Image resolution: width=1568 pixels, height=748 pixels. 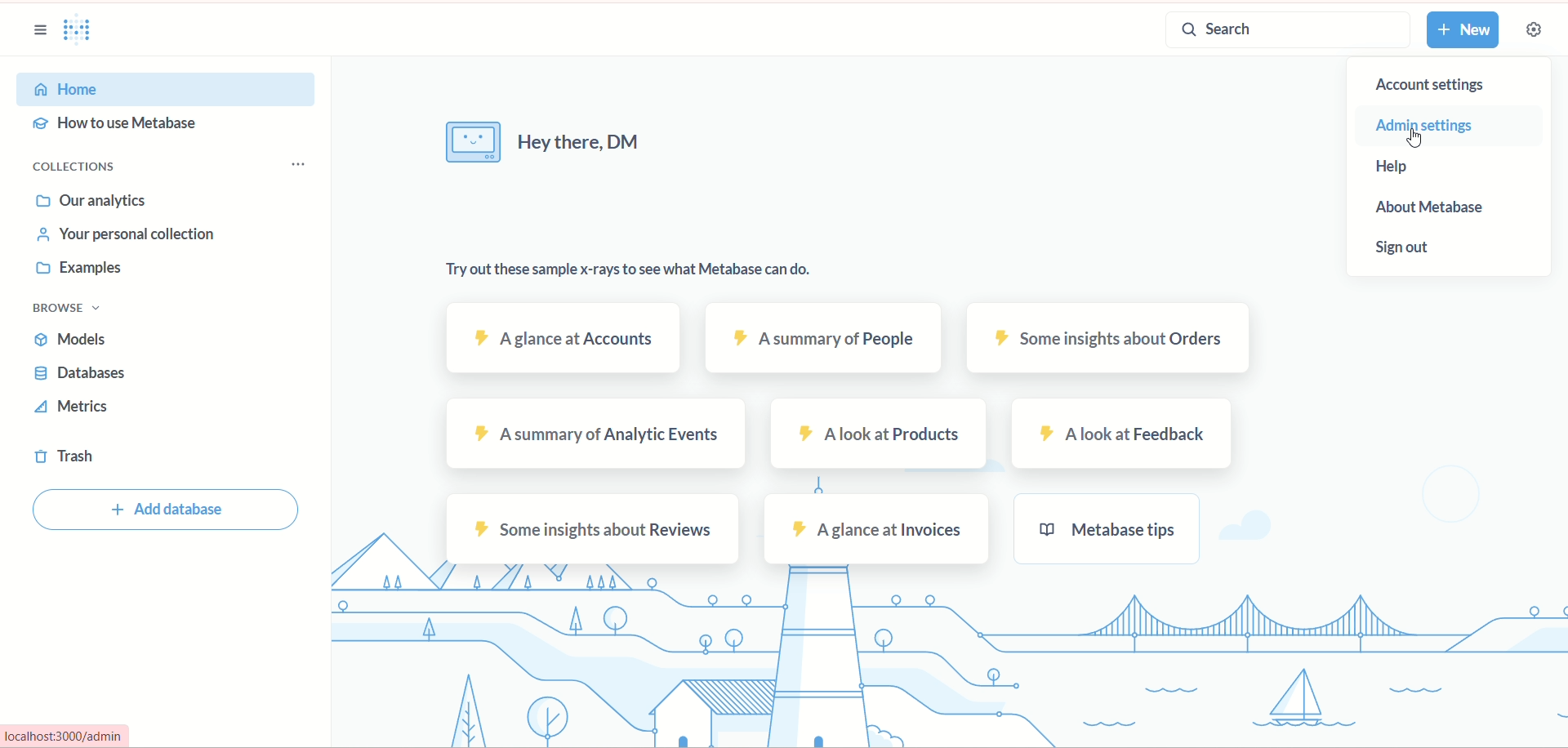 I want to click on your personal collection, so click(x=127, y=234).